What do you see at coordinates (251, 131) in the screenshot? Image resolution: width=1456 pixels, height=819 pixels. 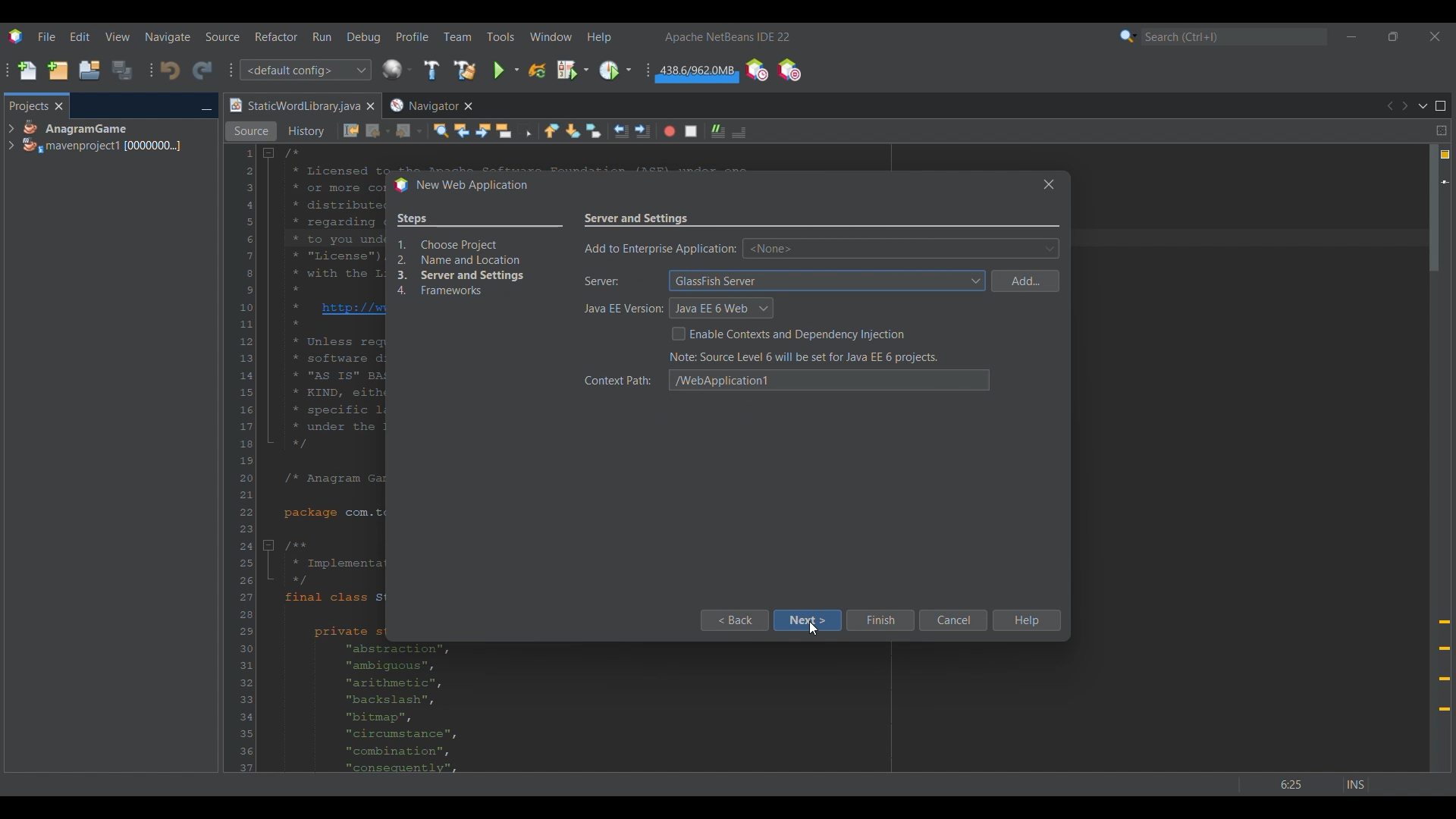 I see `Source view` at bounding box center [251, 131].